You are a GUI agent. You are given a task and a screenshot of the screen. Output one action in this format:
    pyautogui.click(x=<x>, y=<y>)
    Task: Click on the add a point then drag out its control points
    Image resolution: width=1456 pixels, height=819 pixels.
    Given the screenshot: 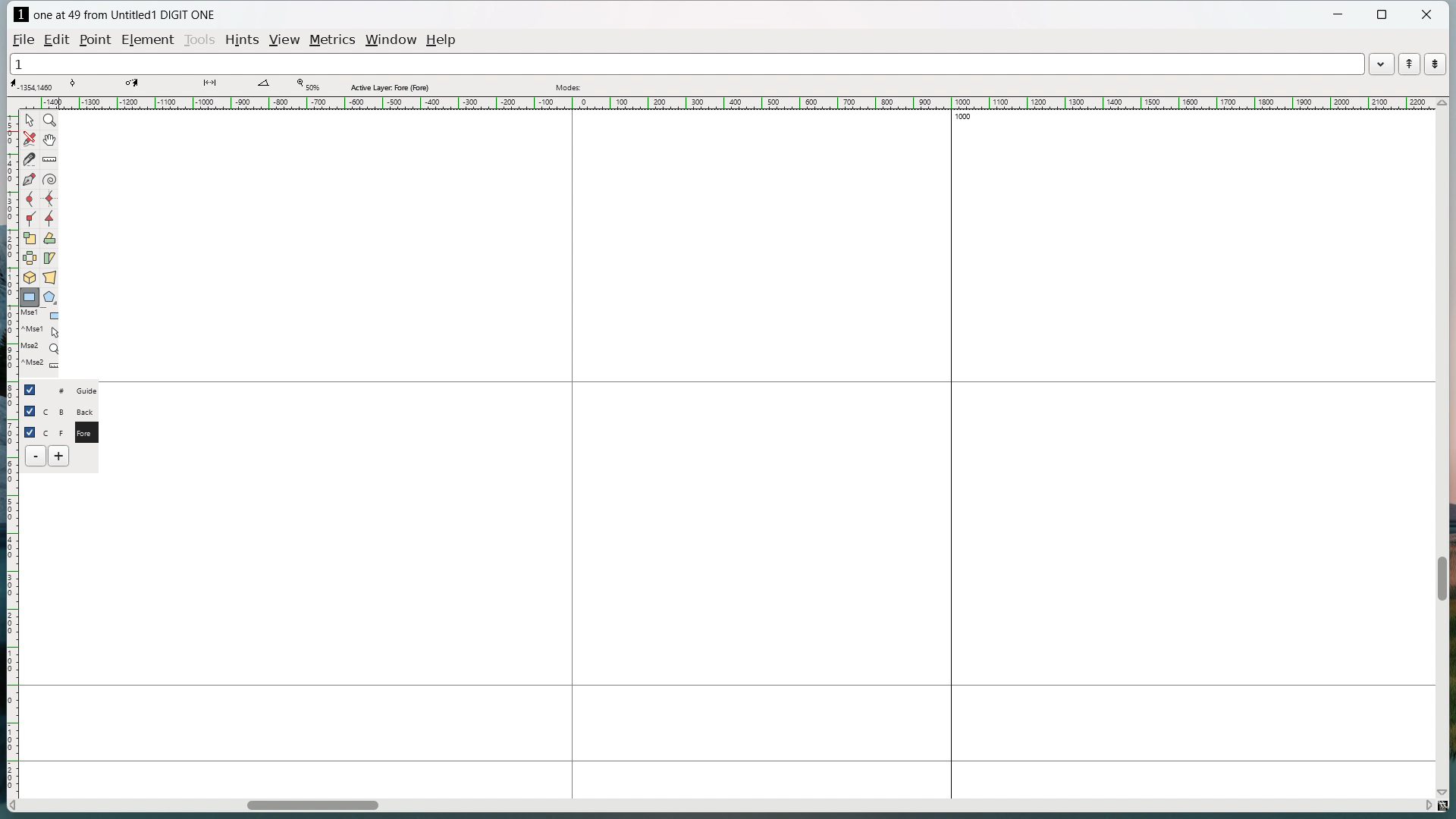 What is the action you would take?
    pyautogui.click(x=30, y=179)
    